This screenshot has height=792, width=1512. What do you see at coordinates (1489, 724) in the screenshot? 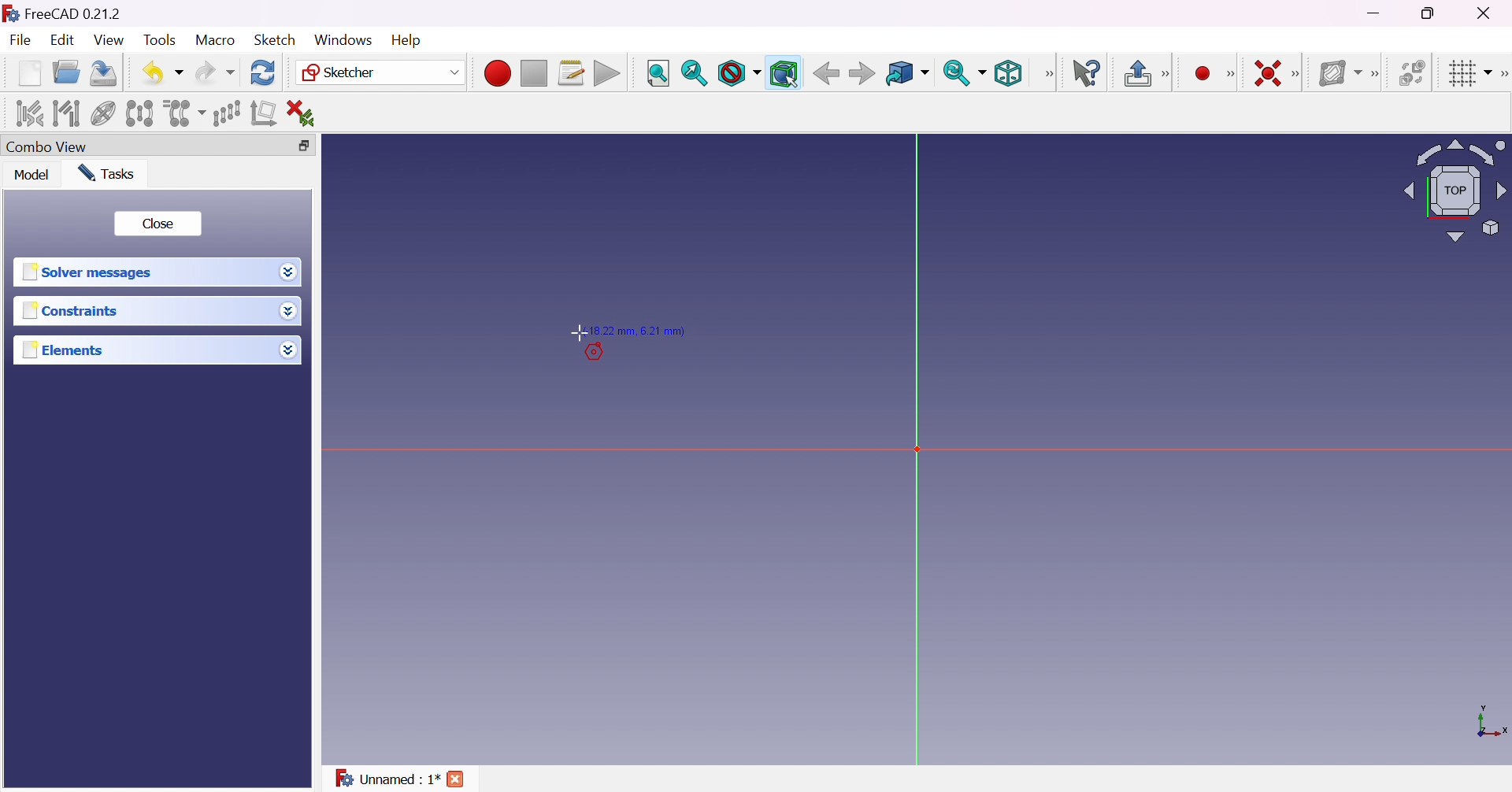
I see `x, y axis` at bounding box center [1489, 724].